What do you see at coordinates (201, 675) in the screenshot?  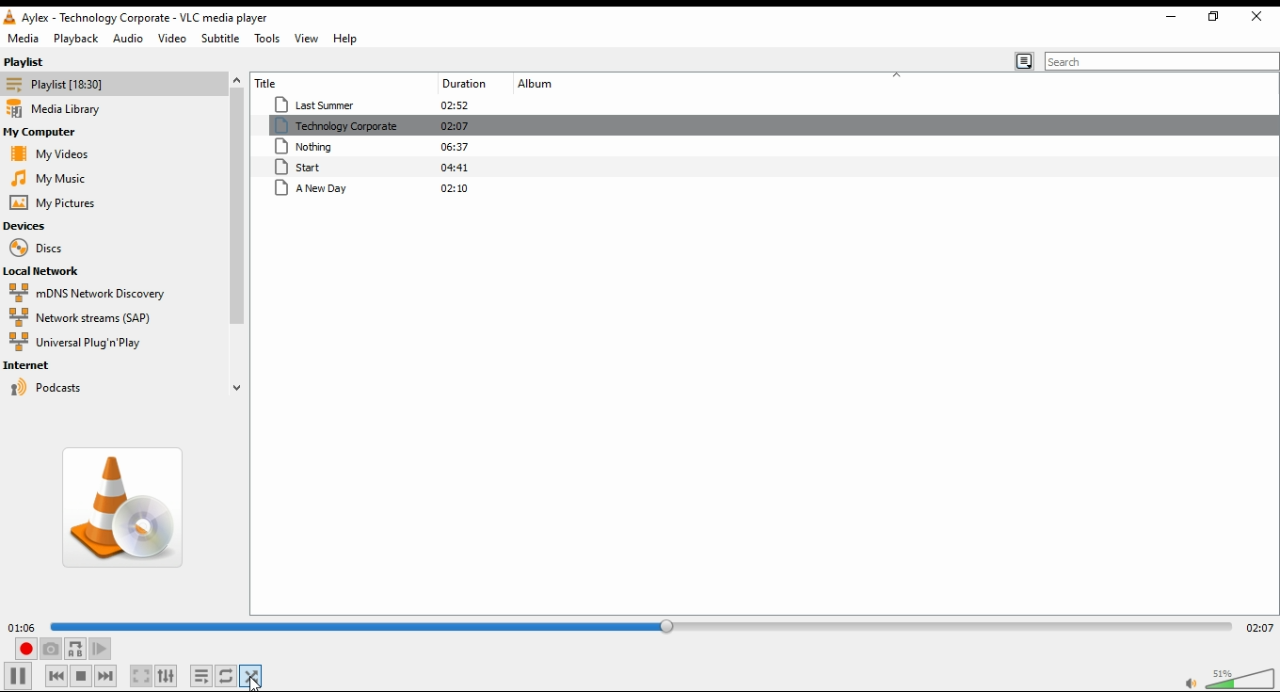 I see `toggle playlist` at bounding box center [201, 675].